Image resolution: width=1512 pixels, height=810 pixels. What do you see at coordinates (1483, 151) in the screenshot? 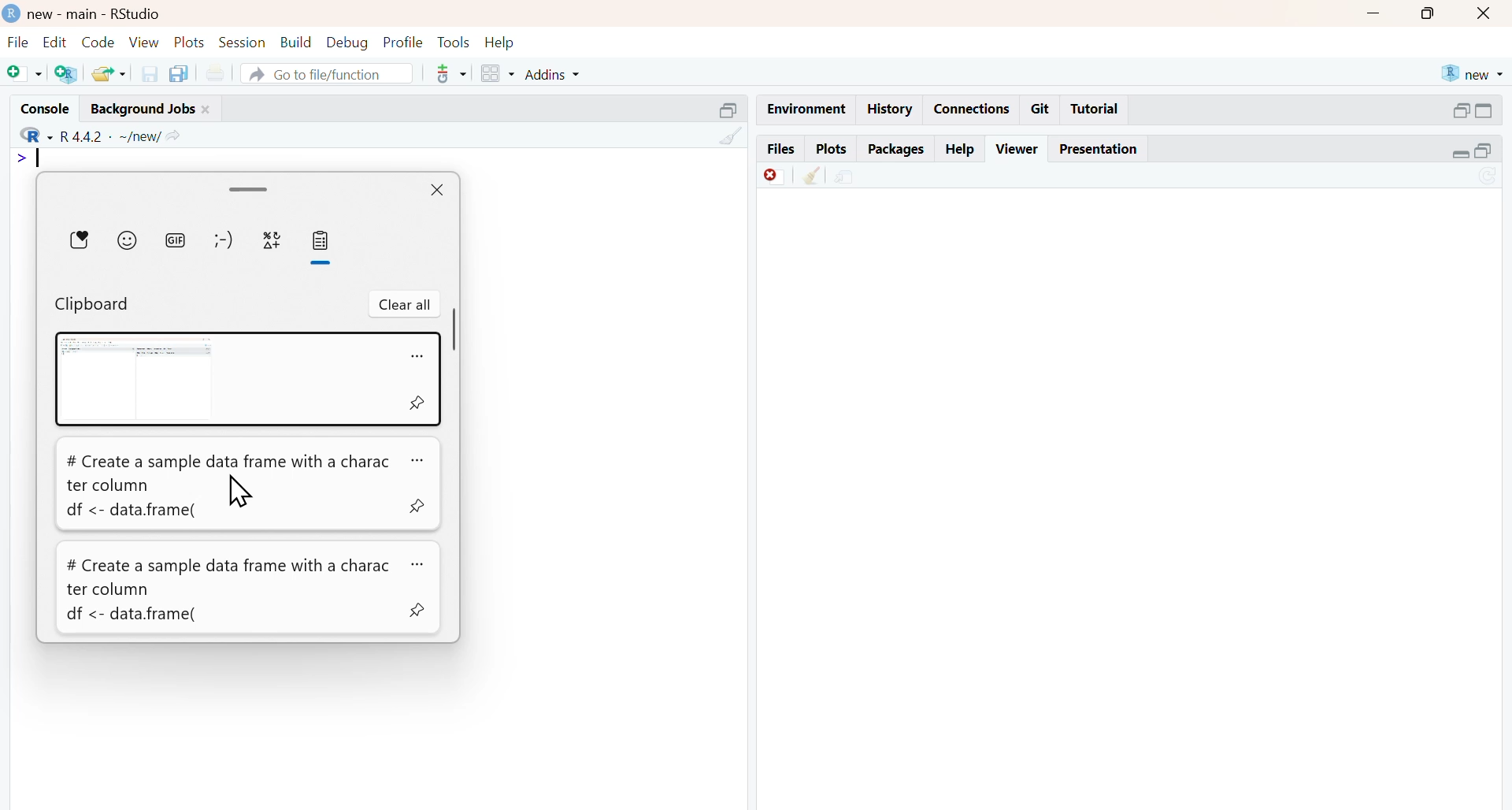
I see `open in separate window` at bounding box center [1483, 151].